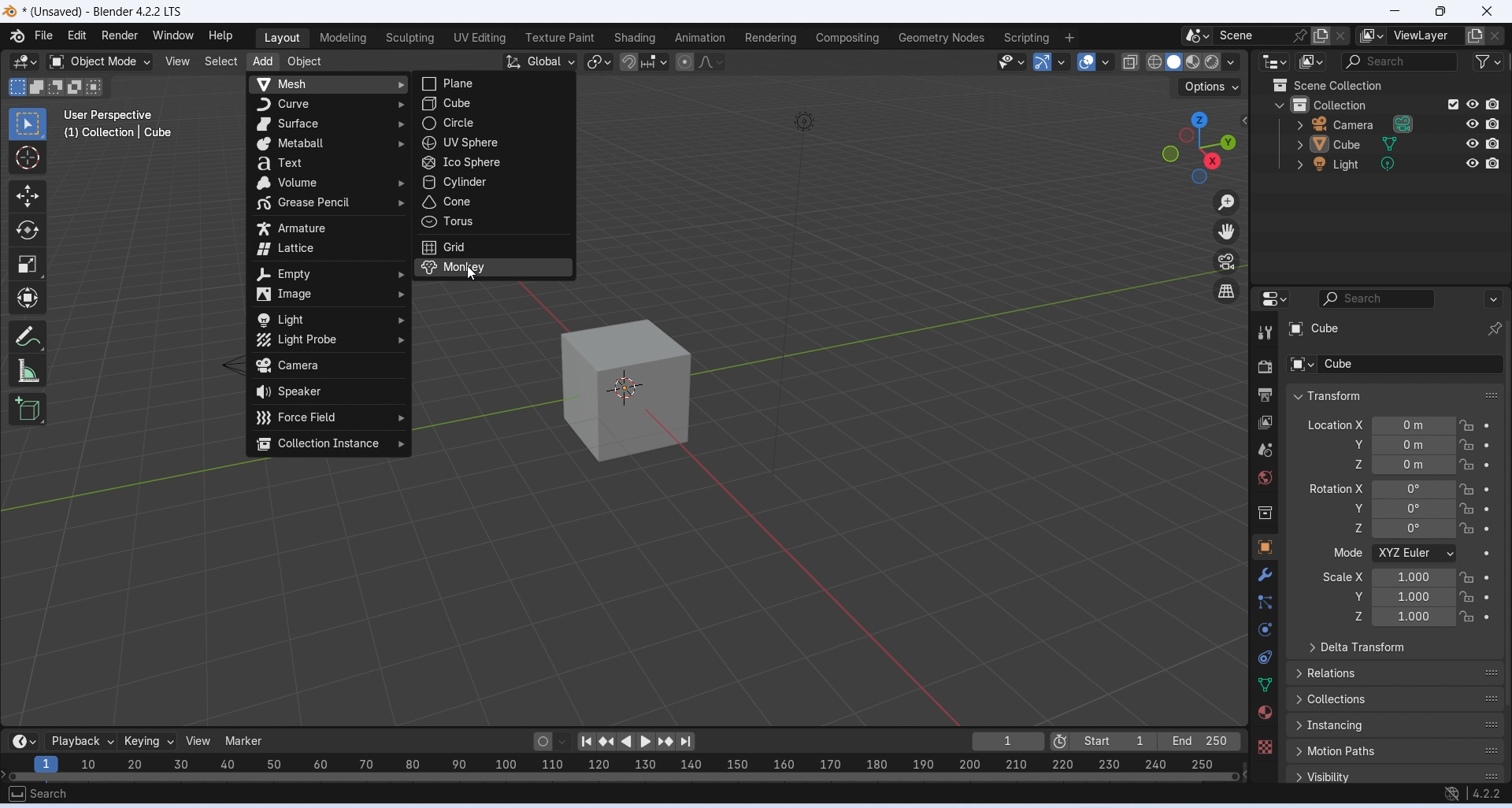 Image resolution: width=1512 pixels, height=808 pixels. What do you see at coordinates (1488, 12) in the screenshot?
I see `Close` at bounding box center [1488, 12].